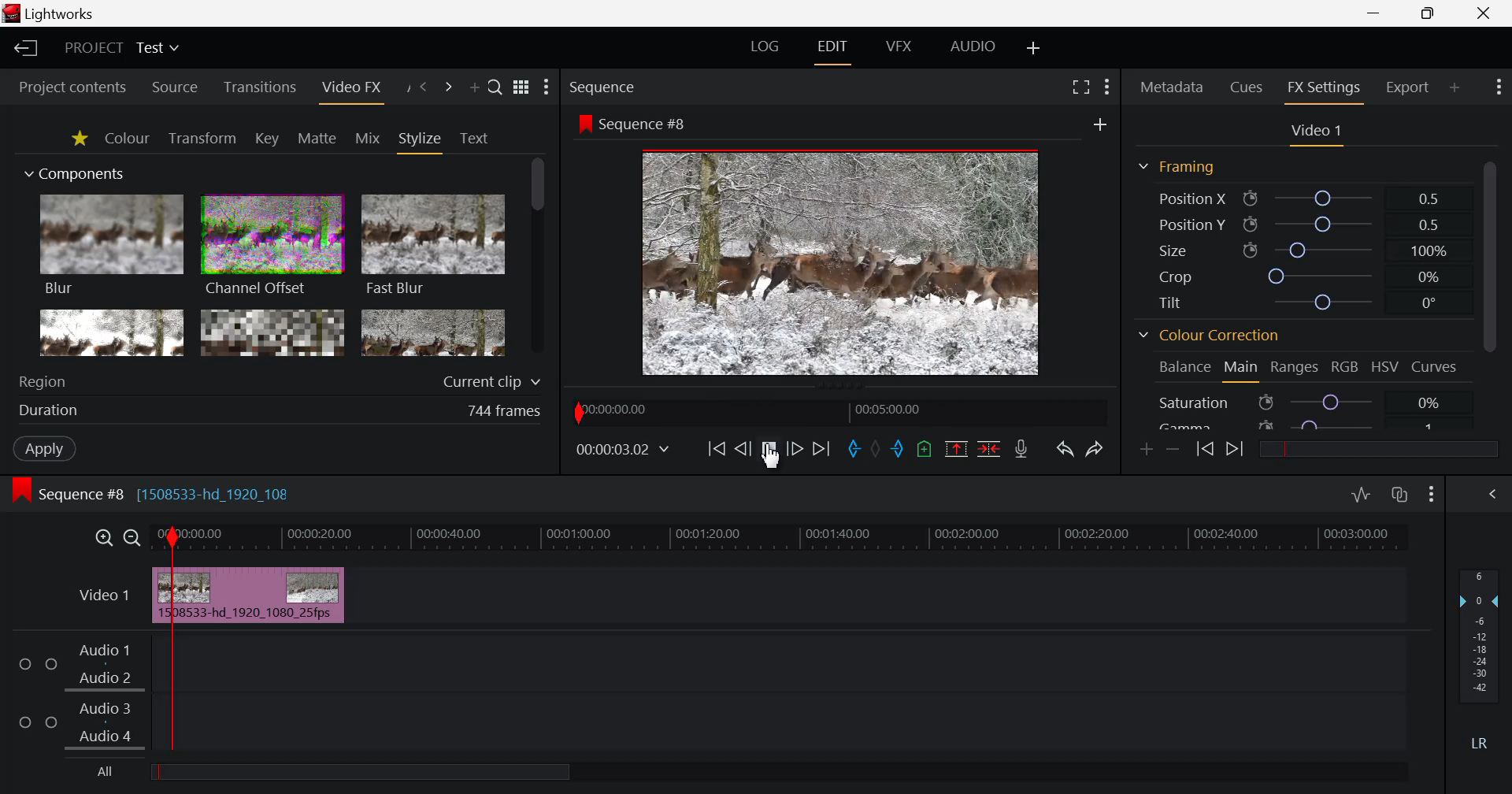 The width and height of the screenshot is (1512, 794). I want to click on Remove marked section, so click(958, 451).